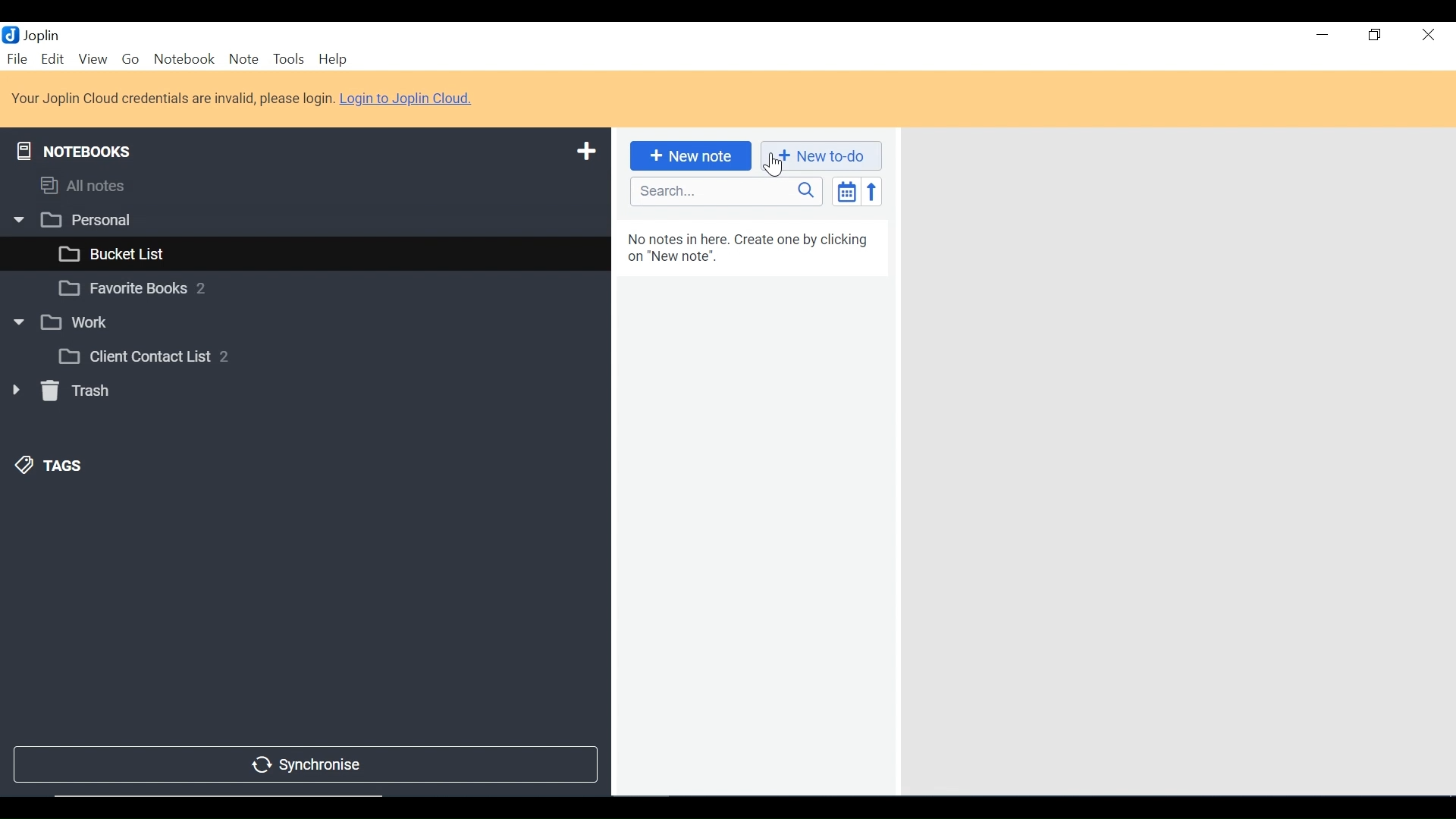  Describe the element at coordinates (243, 99) in the screenshot. I see `Login to Joplin Cloud` at that location.